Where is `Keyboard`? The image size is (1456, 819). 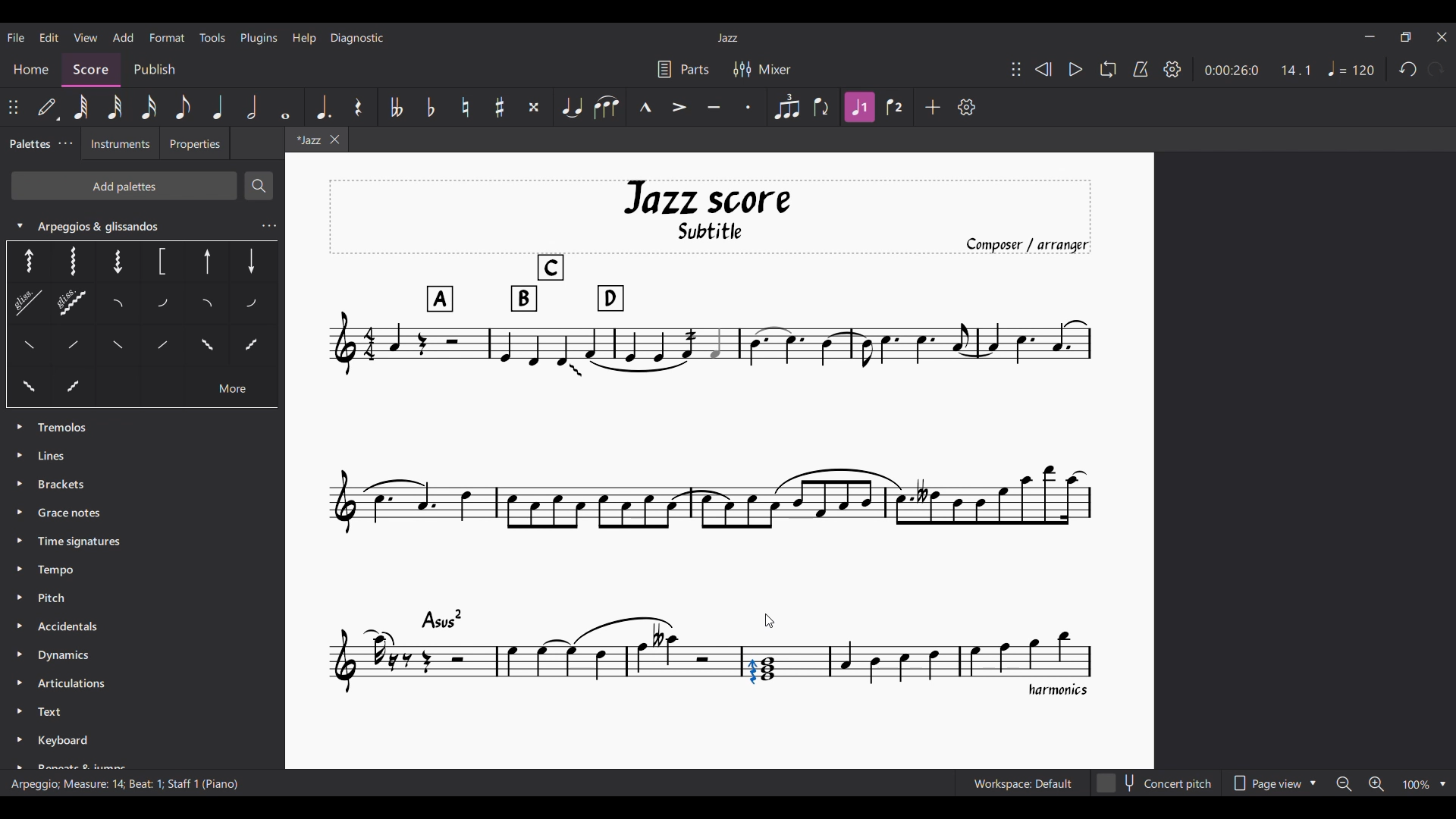 Keyboard is located at coordinates (81, 751).